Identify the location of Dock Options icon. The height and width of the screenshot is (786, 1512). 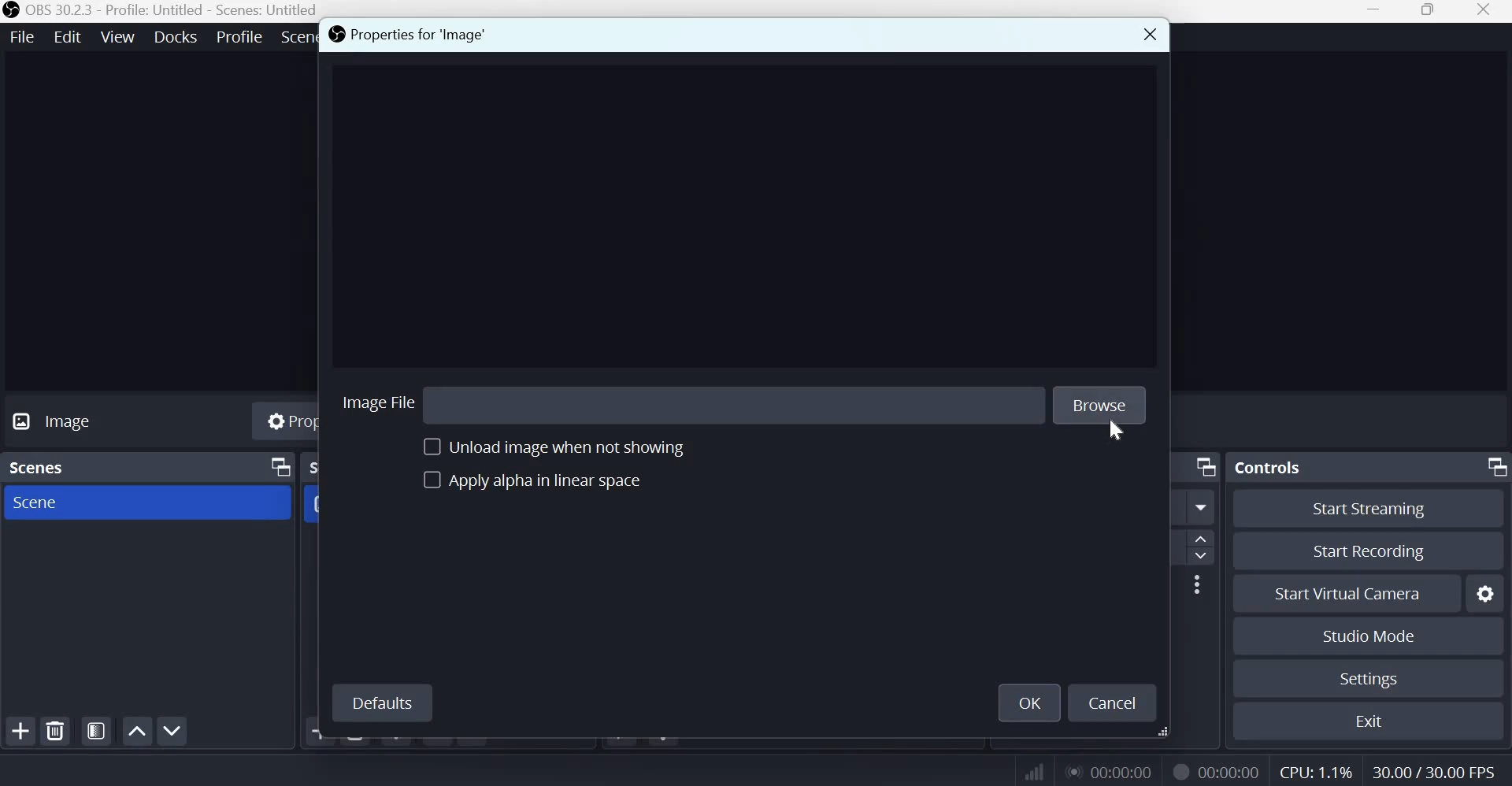
(1206, 467).